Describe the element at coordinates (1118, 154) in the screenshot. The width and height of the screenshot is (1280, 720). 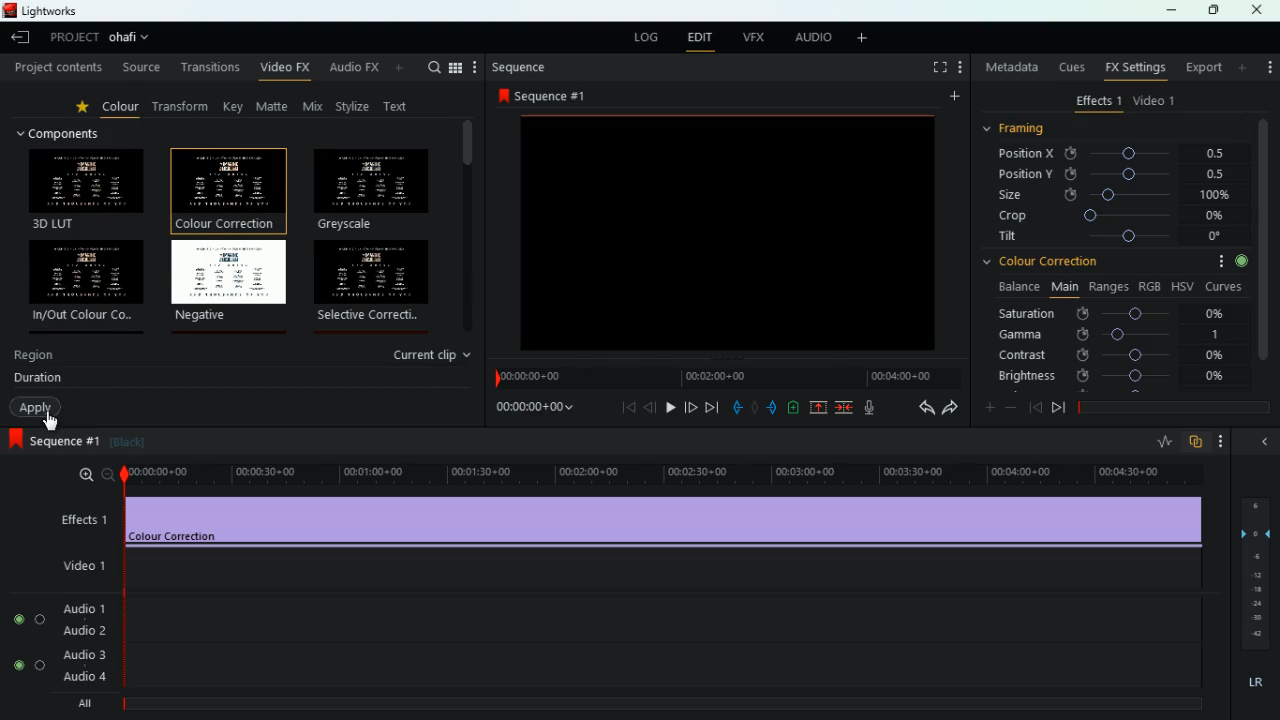
I see `position x` at that location.